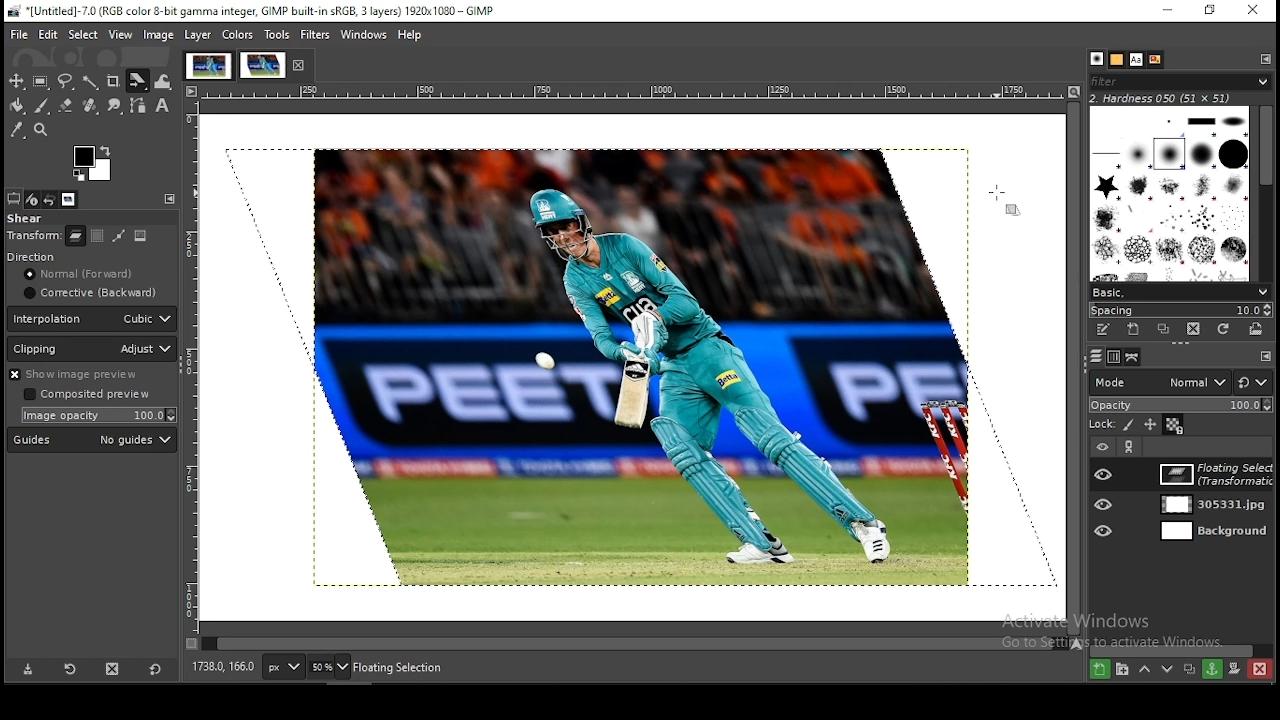 This screenshot has height=720, width=1280. What do you see at coordinates (70, 200) in the screenshot?
I see `images` at bounding box center [70, 200].